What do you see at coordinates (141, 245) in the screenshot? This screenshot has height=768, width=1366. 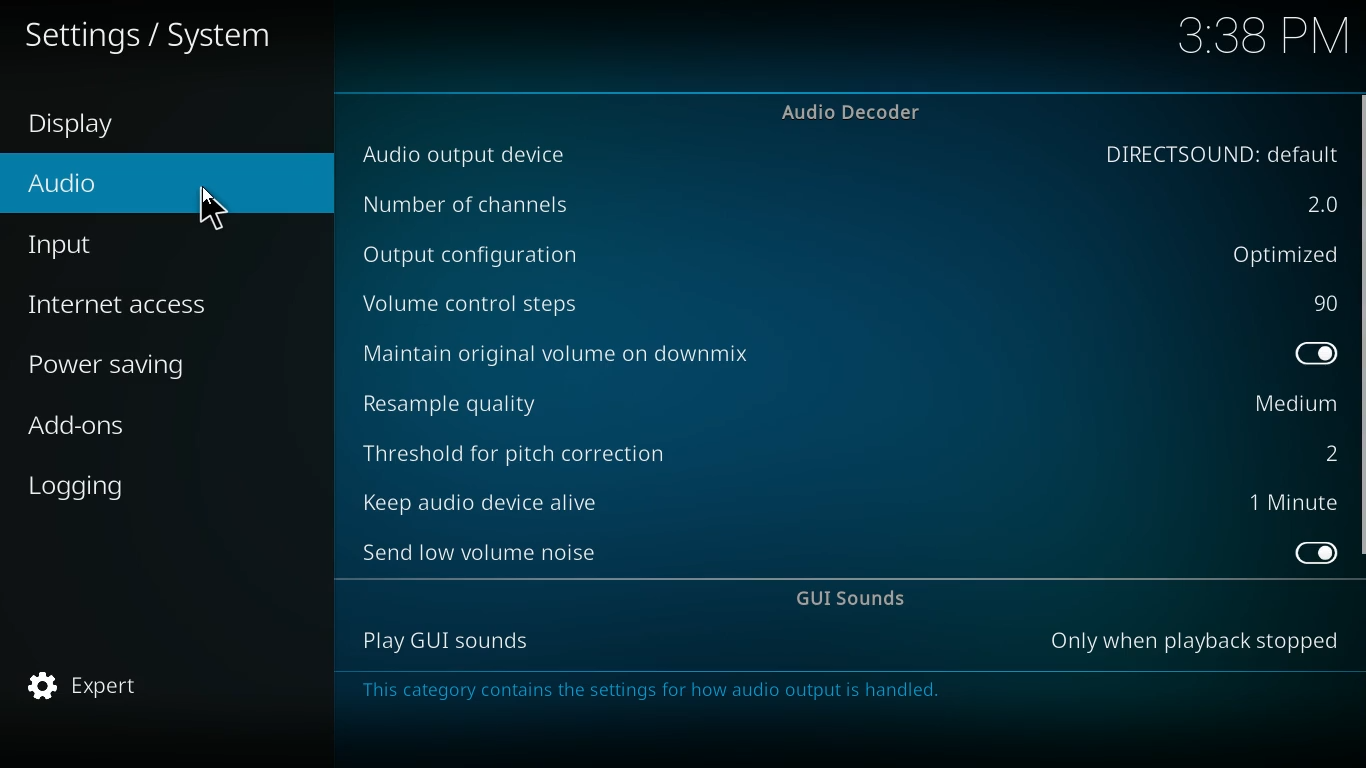 I see `input` at bounding box center [141, 245].